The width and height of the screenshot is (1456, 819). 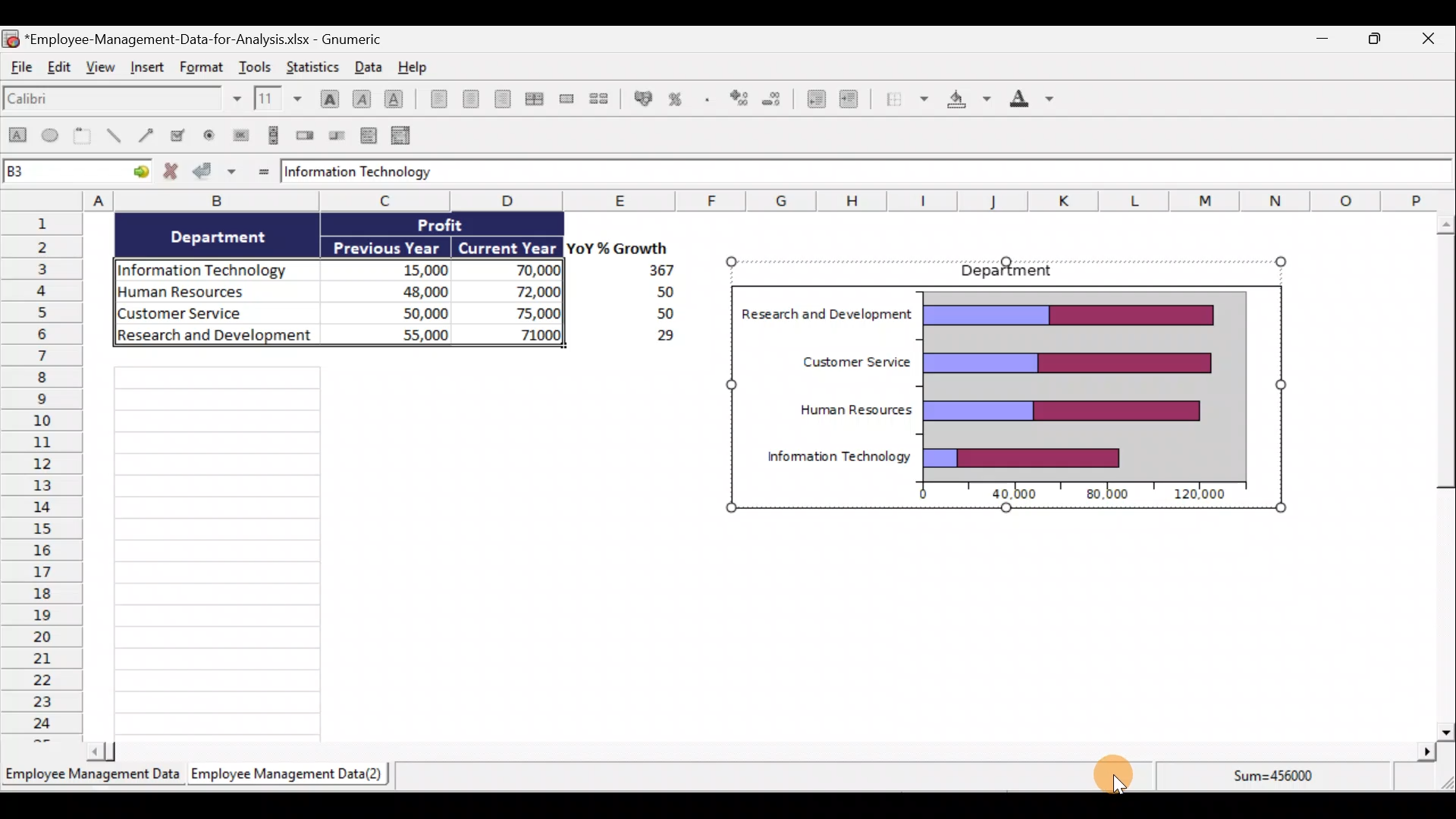 I want to click on Decrease decimals, so click(x=773, y=101).